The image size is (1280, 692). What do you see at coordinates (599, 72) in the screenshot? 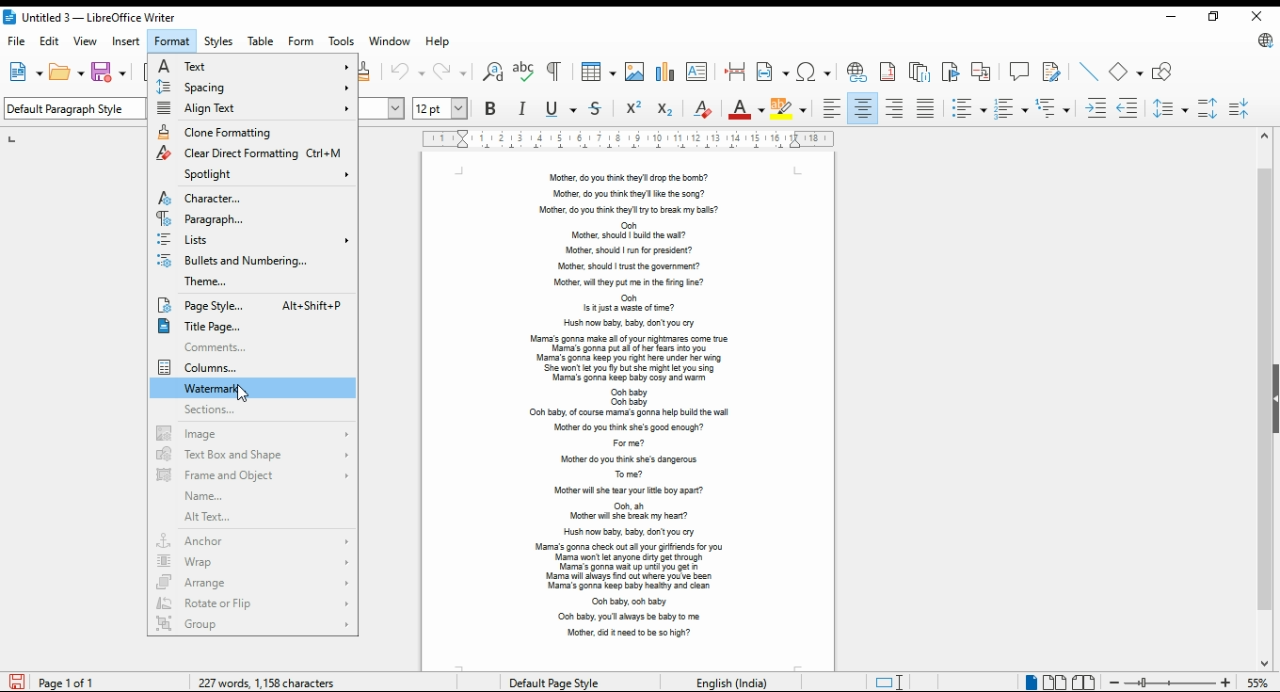
I see `insert tables` at bounding box center [599, 72].